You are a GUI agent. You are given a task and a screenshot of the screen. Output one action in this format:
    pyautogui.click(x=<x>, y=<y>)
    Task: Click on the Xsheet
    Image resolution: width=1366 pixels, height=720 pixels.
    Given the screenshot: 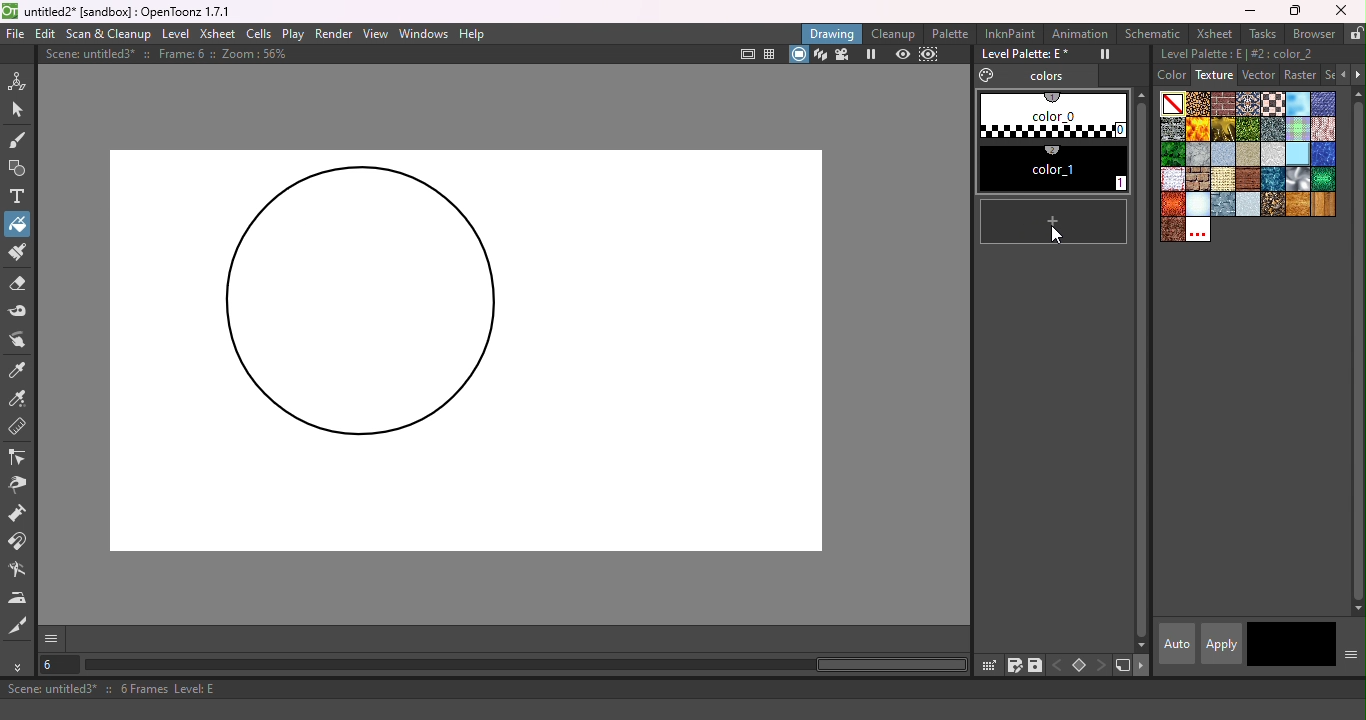 What is the action you would take?
    pyautogui.click(x=1214, y=34)
    